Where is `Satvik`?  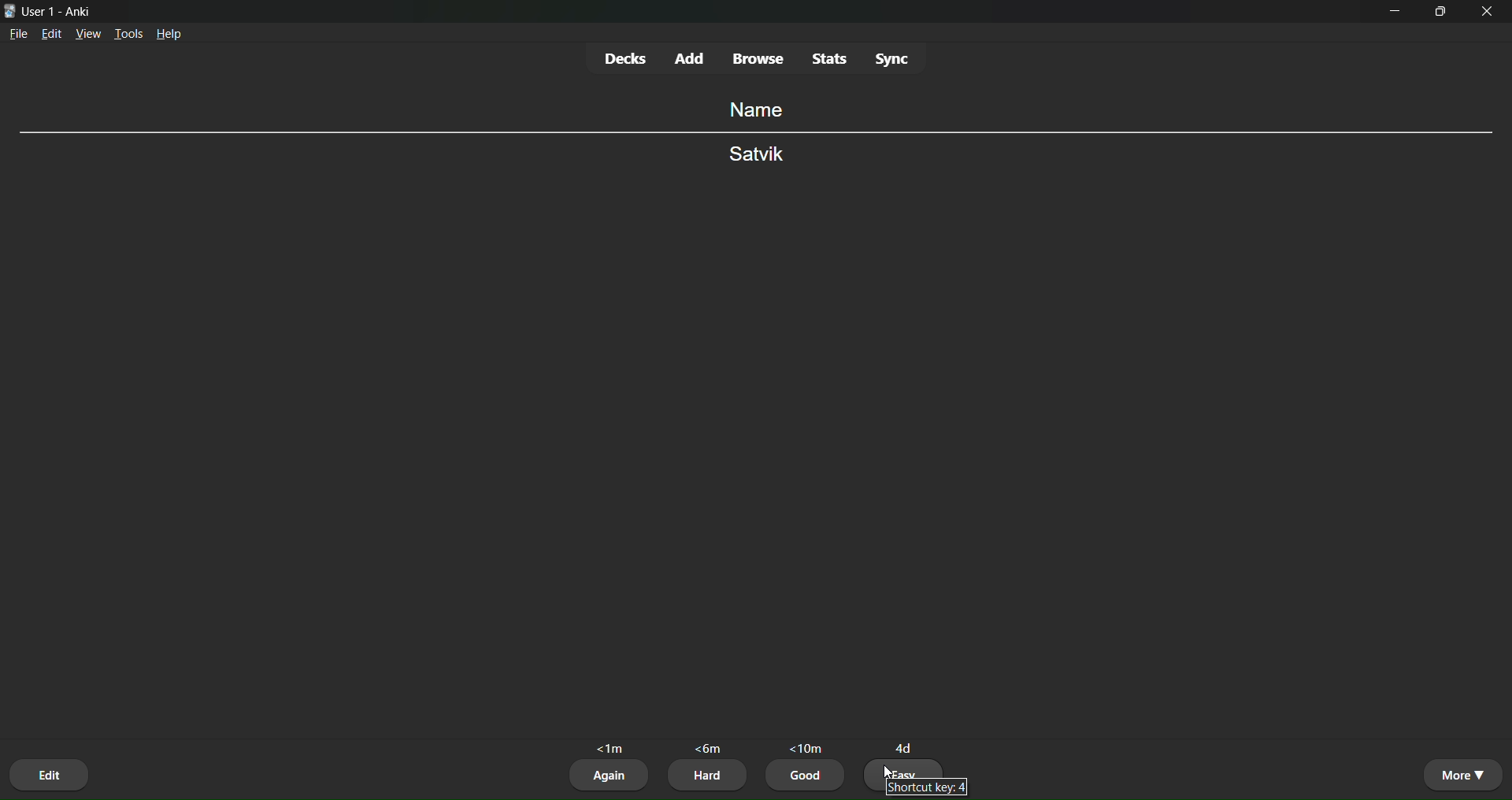 Satvik is located at coordinates (757, 156).